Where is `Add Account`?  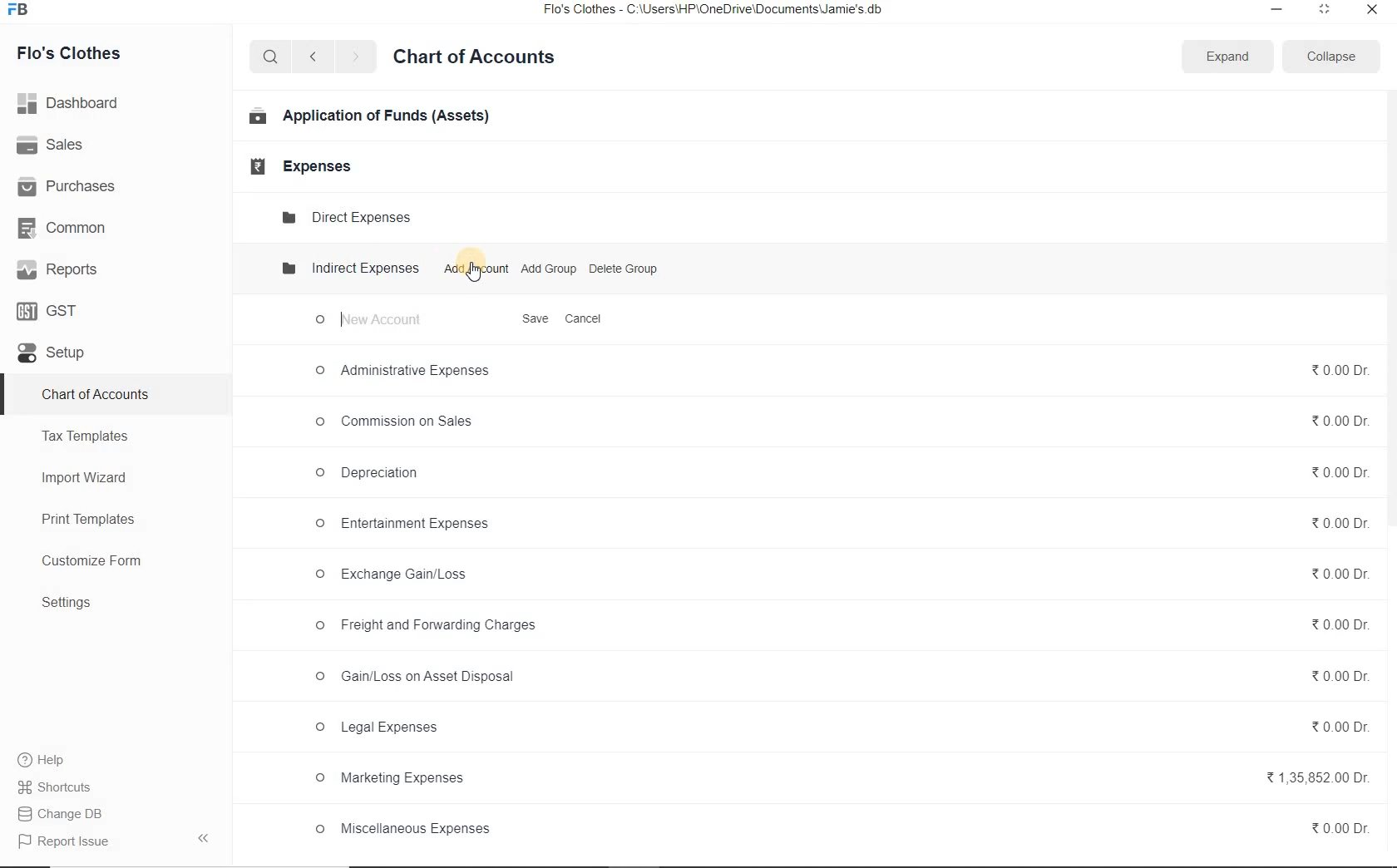
Add Account is located at coordinates (473, 269).